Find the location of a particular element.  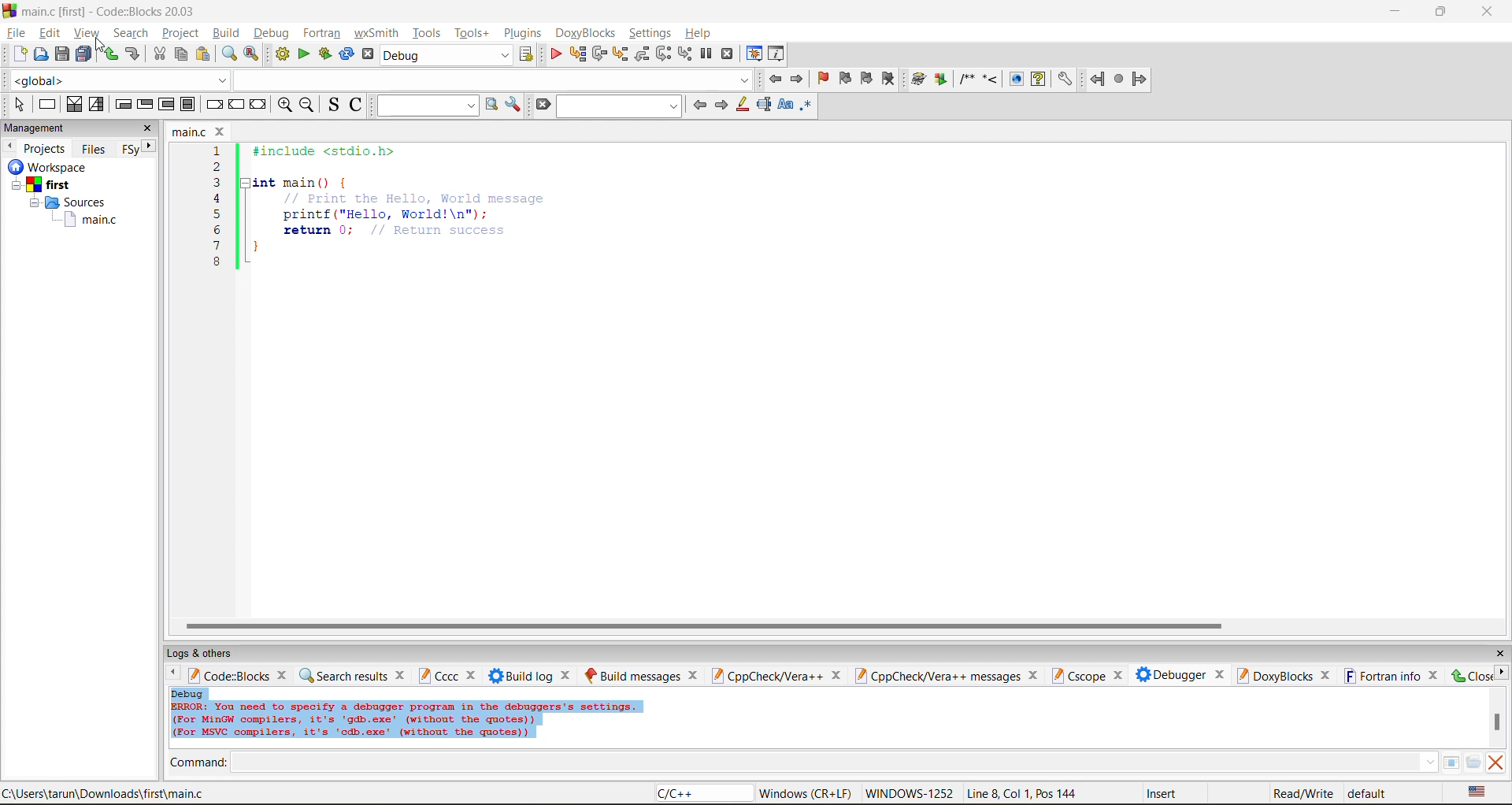

toggle comments is located at coordinates (358, 105).